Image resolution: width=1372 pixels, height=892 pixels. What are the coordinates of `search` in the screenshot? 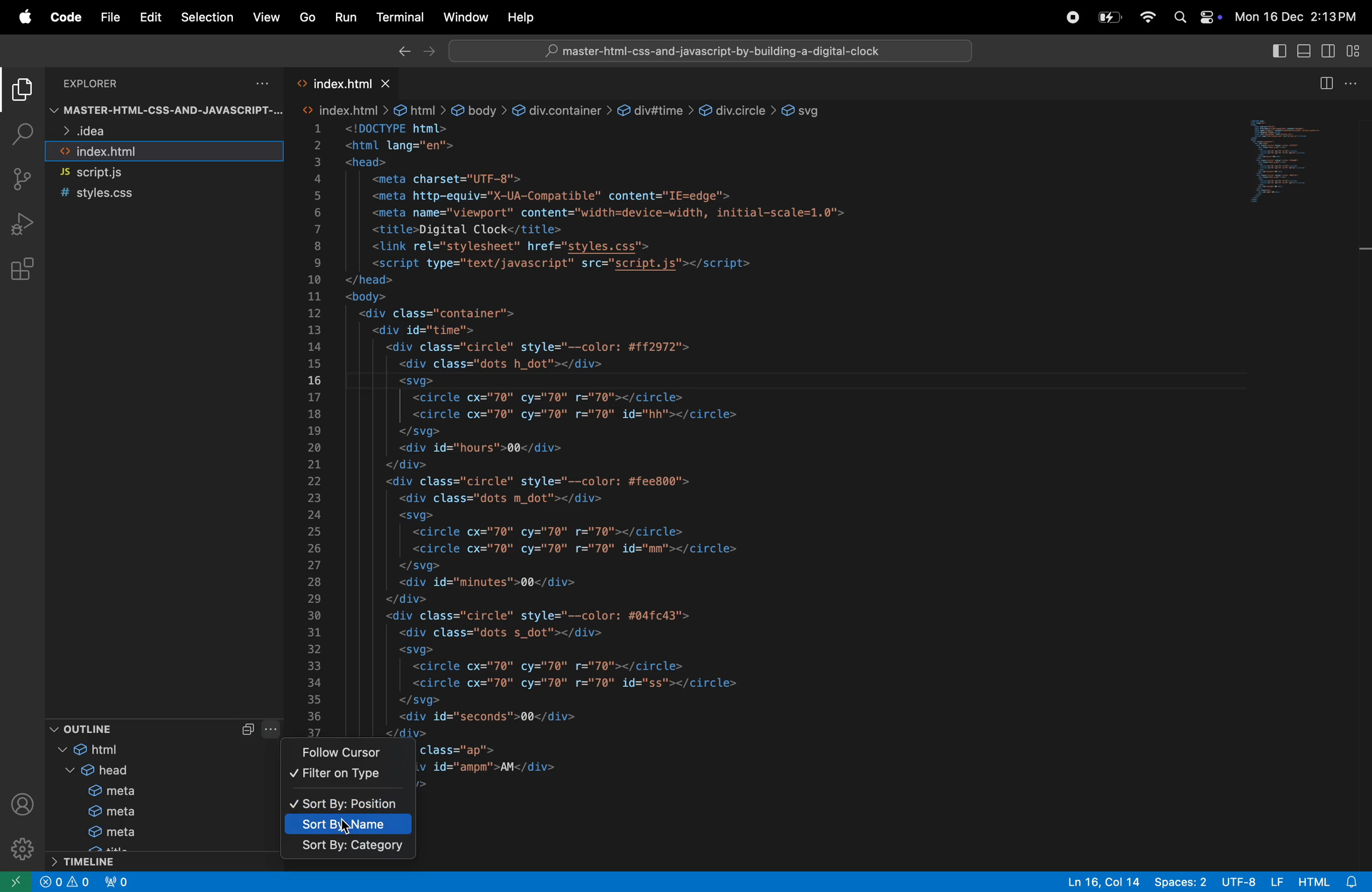 It's located at (21, 135).